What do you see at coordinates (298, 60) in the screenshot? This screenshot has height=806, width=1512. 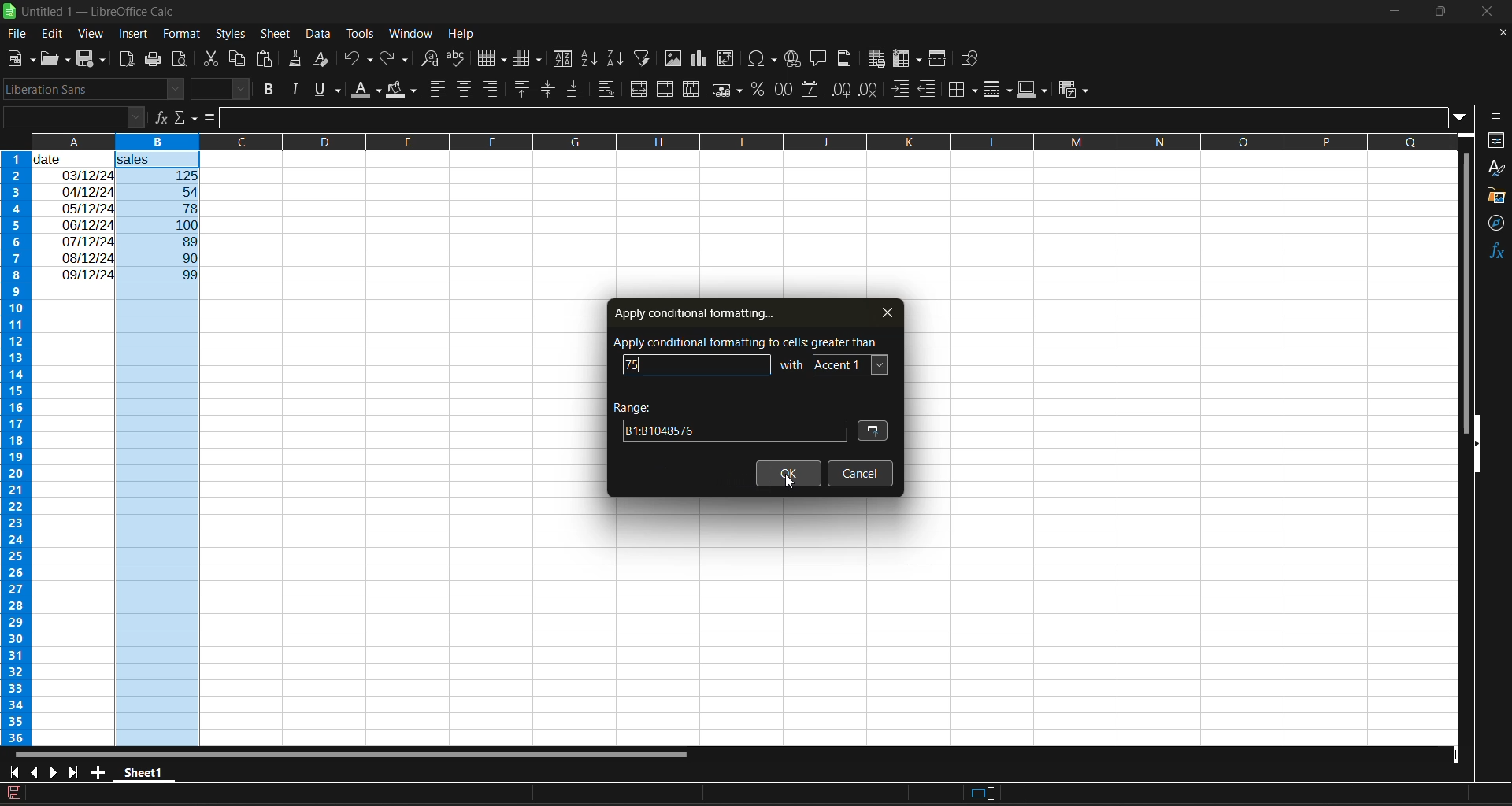 I see `clone formatting` at bounding box center [298, 60].